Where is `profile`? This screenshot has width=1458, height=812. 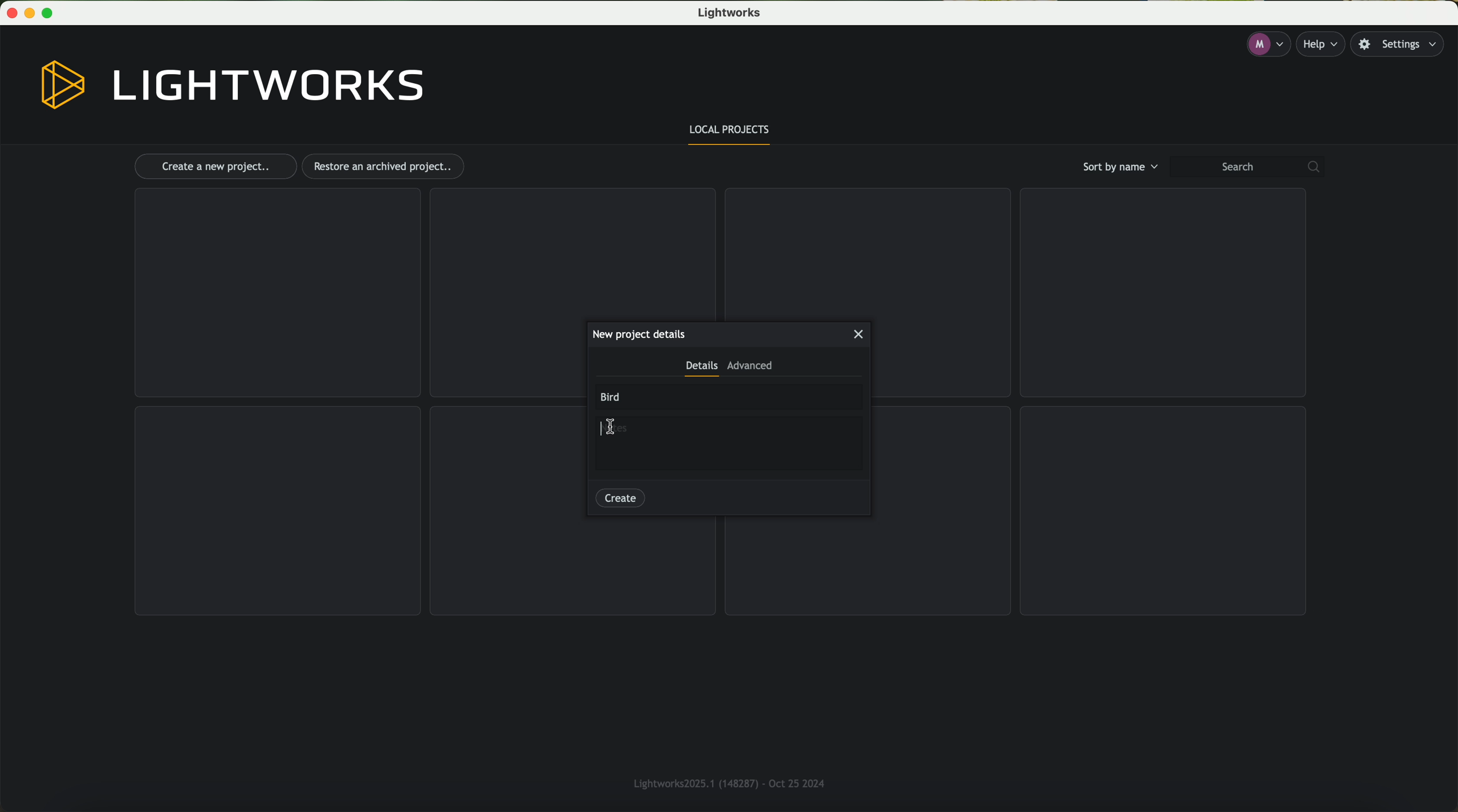 profile is located at coordinates (1267, 45).